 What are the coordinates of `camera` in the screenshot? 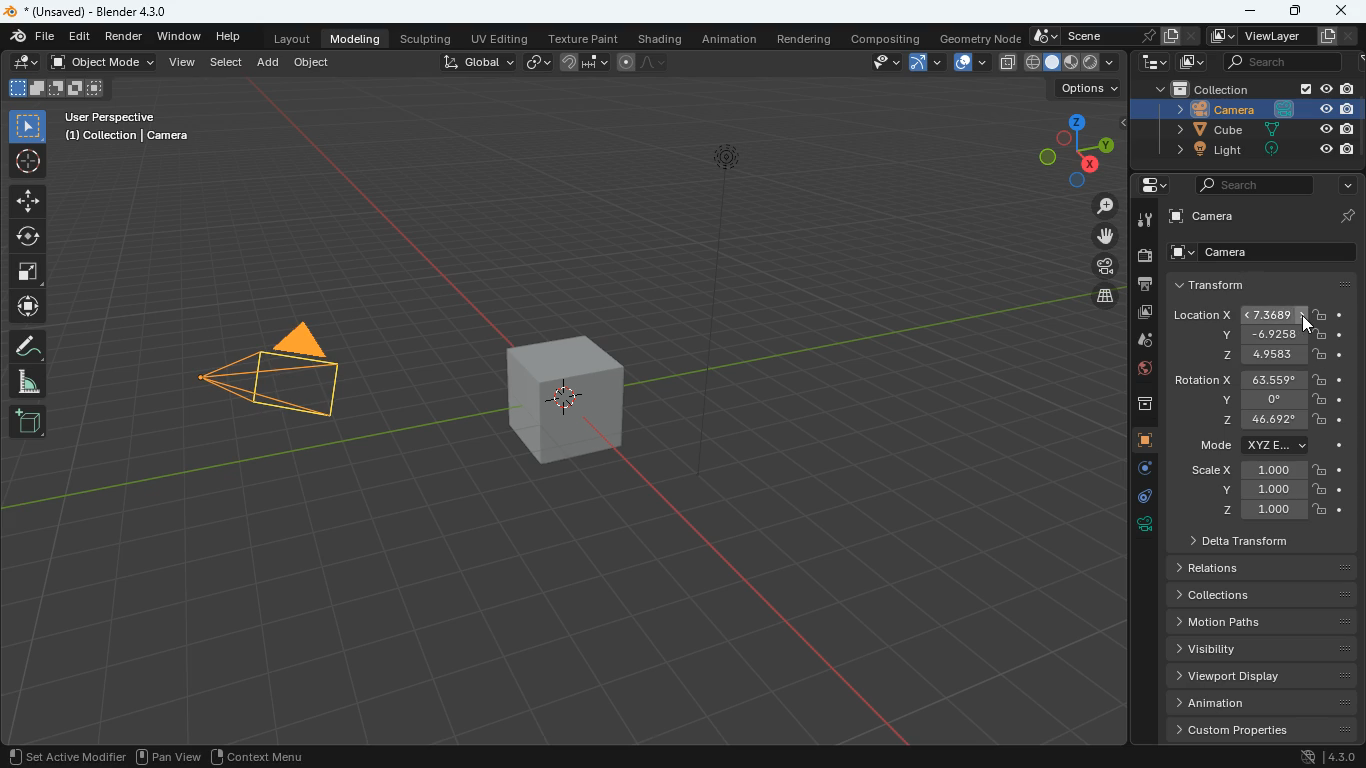 It's located at (1246, 110).